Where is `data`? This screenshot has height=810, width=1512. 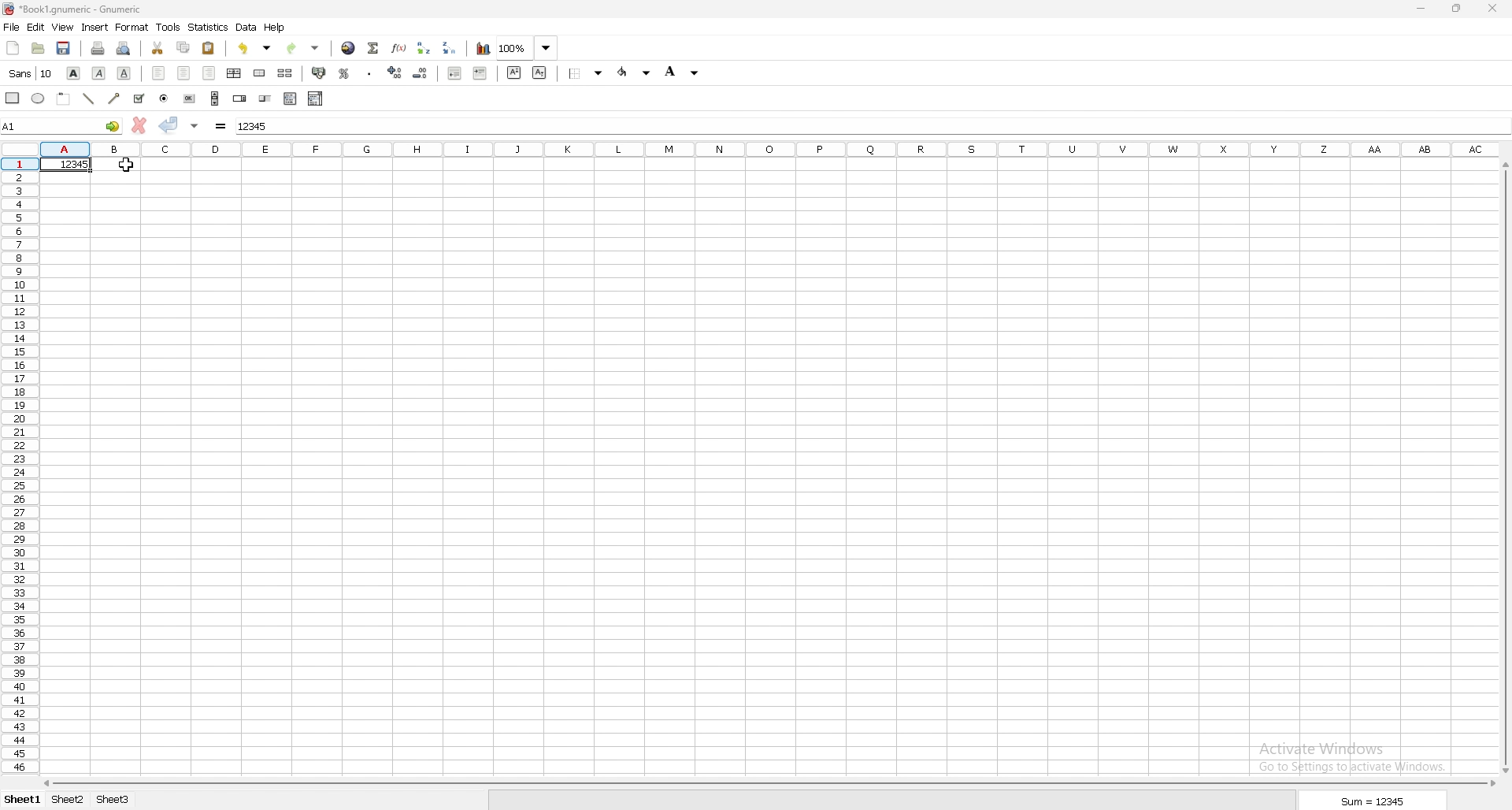 data is located at coordinates (246, 27).